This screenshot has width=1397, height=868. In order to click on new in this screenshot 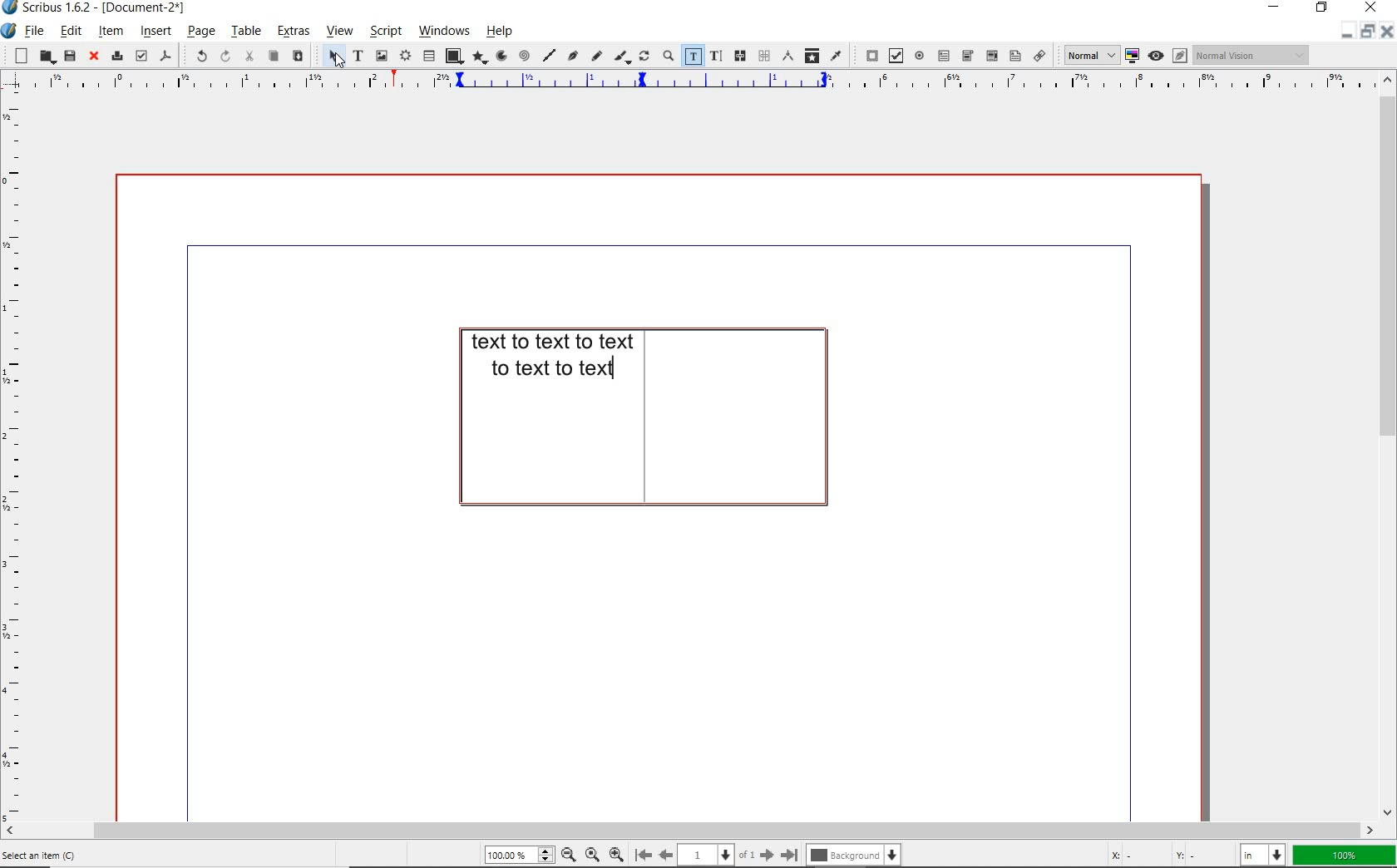, I will do `click(18, 56)`.